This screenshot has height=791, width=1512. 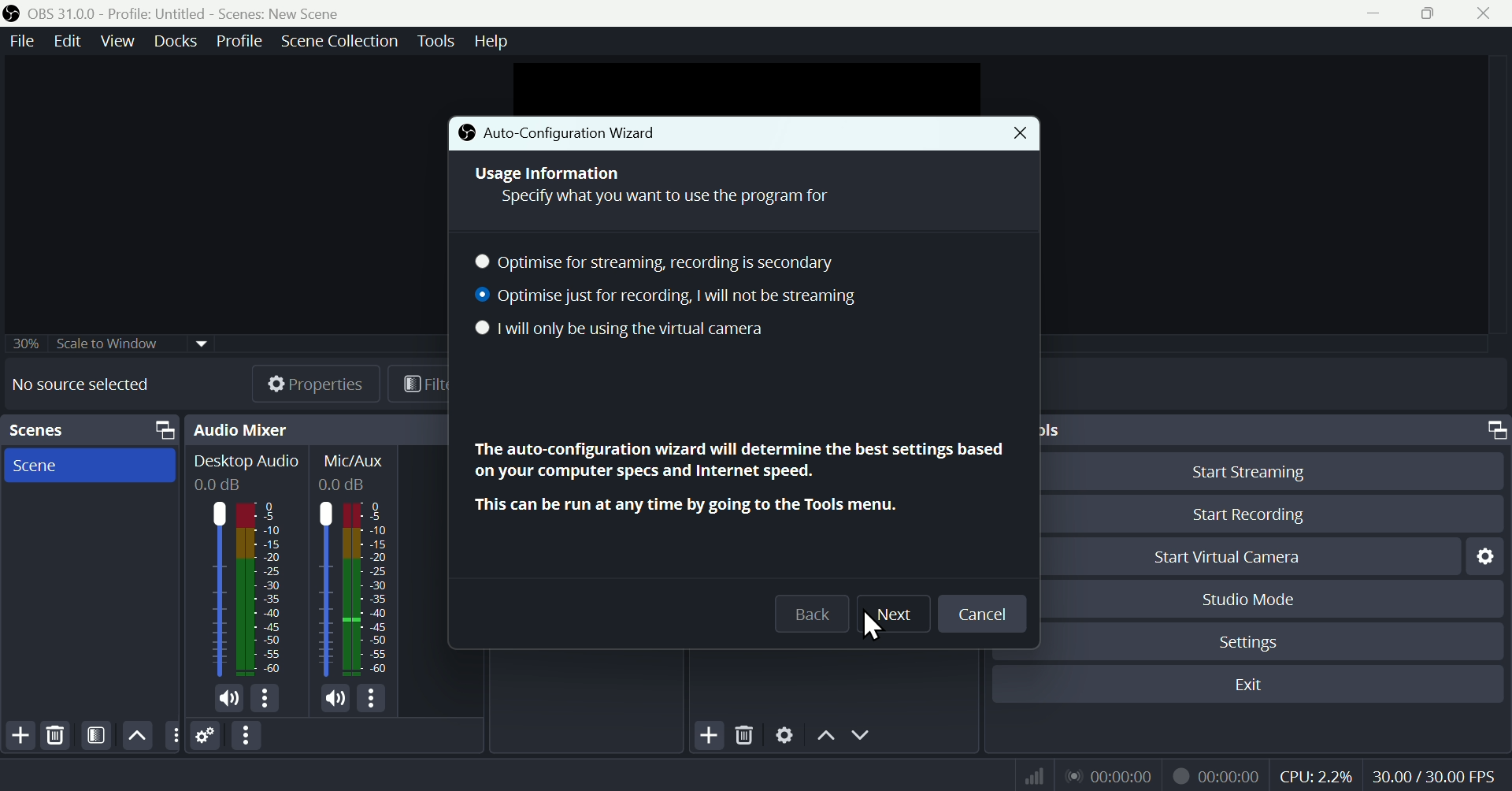 What do you see at coordinates (1028, 775) in the screenshot?
I see `Signal` at bounding box center [1028, 775].